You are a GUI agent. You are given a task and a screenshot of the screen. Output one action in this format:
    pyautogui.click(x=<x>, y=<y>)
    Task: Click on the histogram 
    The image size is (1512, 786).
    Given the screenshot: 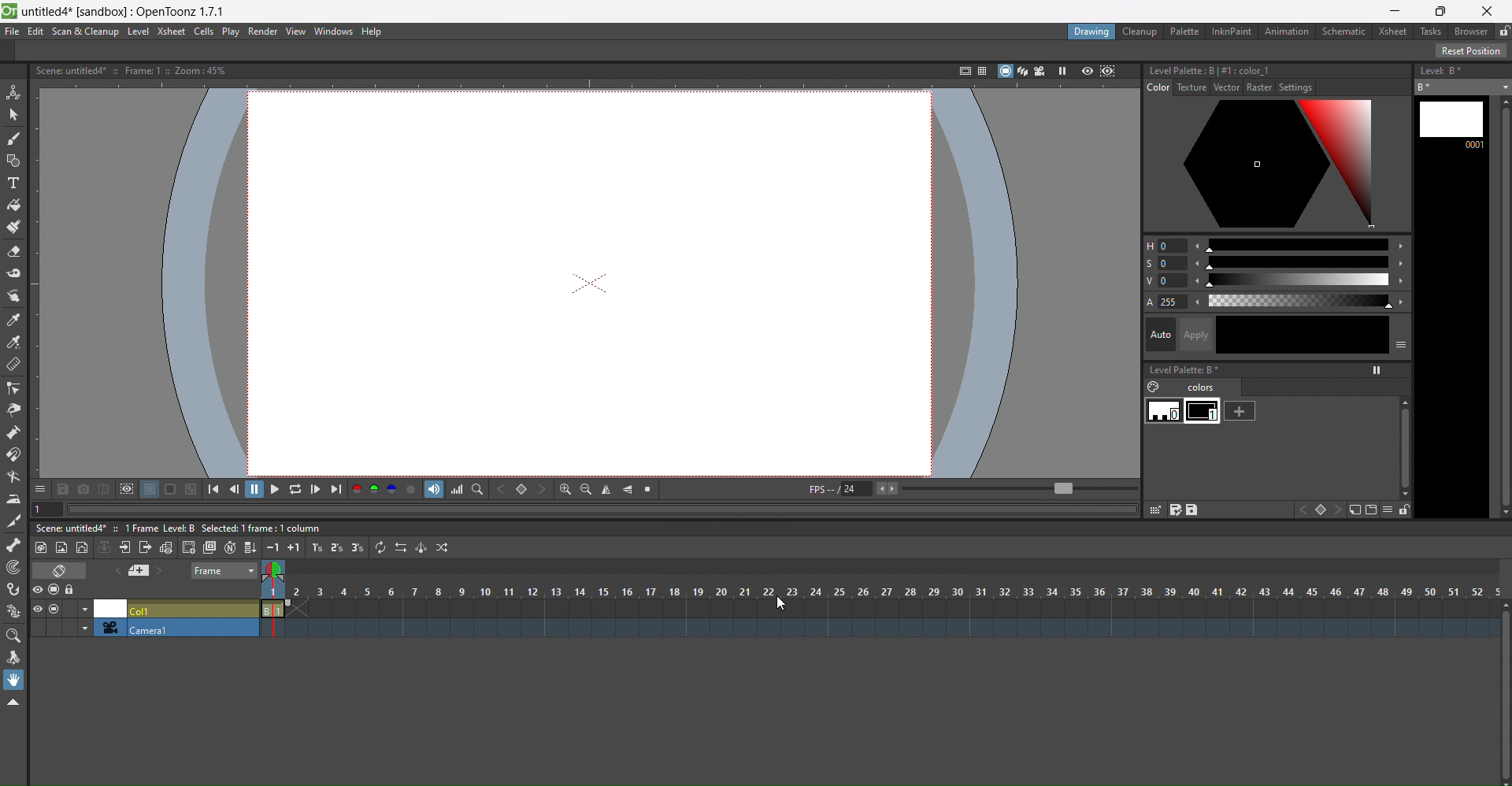 What is the action you would take?
    pyautogui.click(x=457, y=489)
    